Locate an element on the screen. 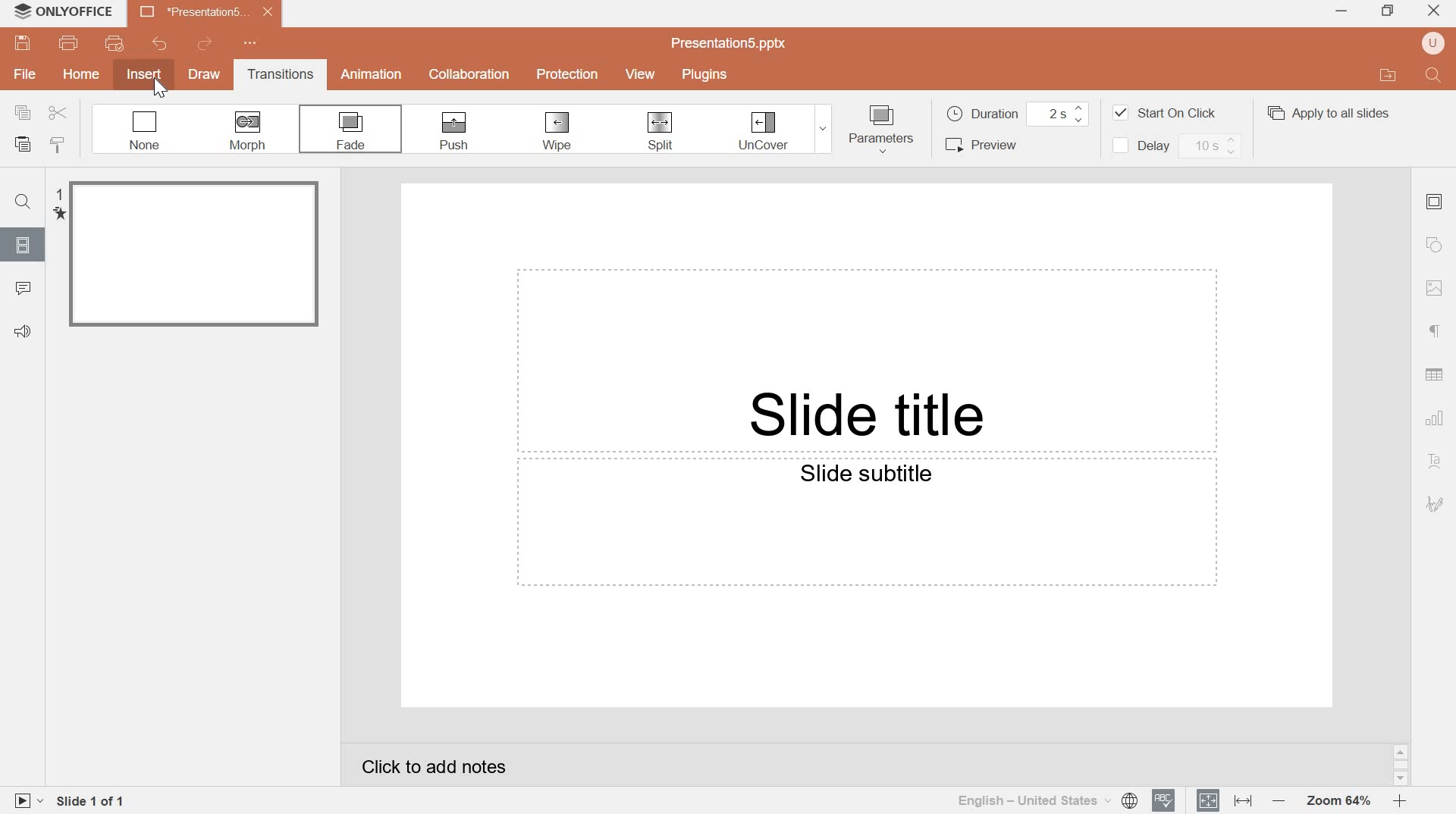 Image resolution: width=1456 pixels, height=814 pixels. Apply to all slides is located at coordinates (1327, 114).